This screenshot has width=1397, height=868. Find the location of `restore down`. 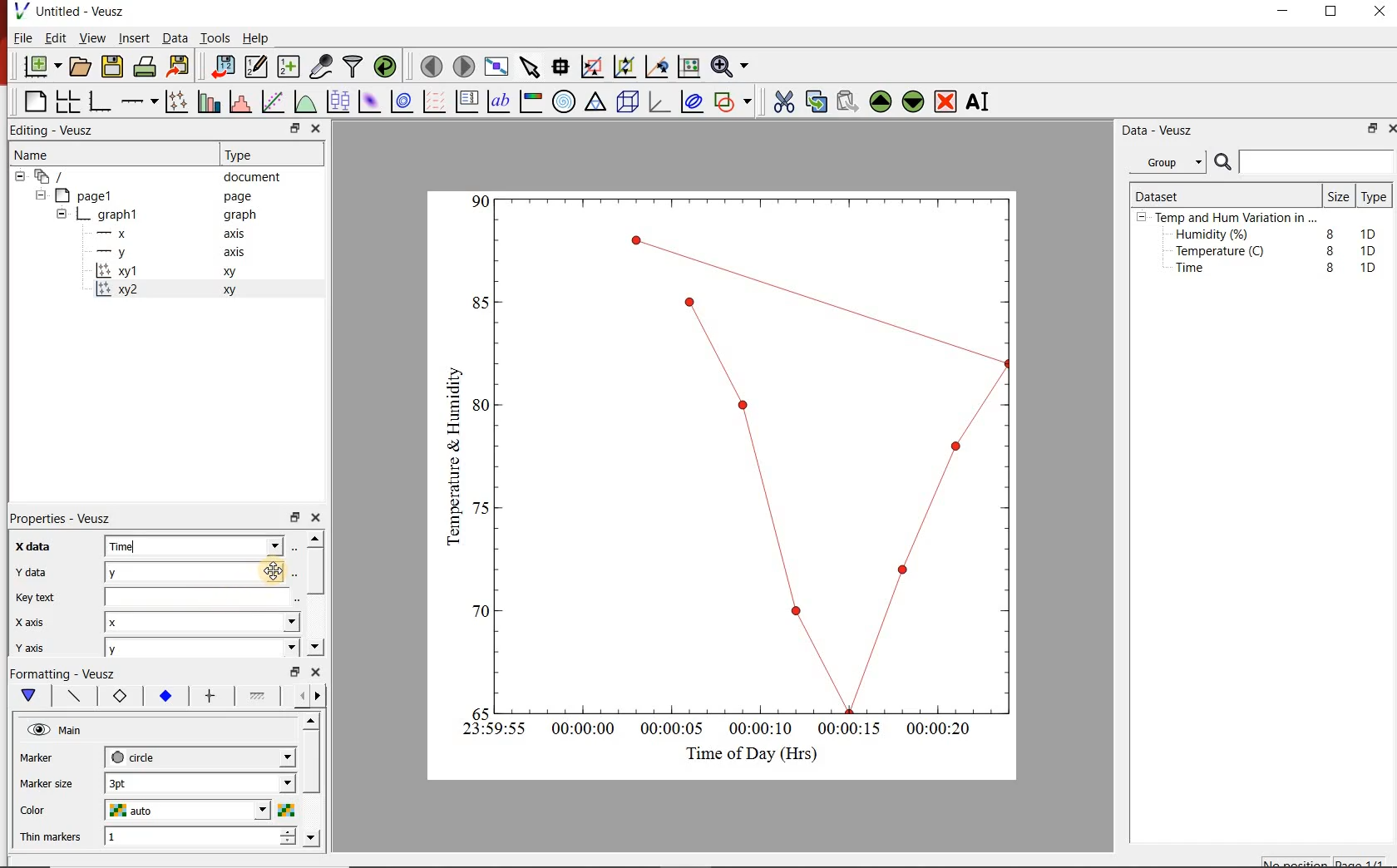

restore down is located at coordinates (284, 128).